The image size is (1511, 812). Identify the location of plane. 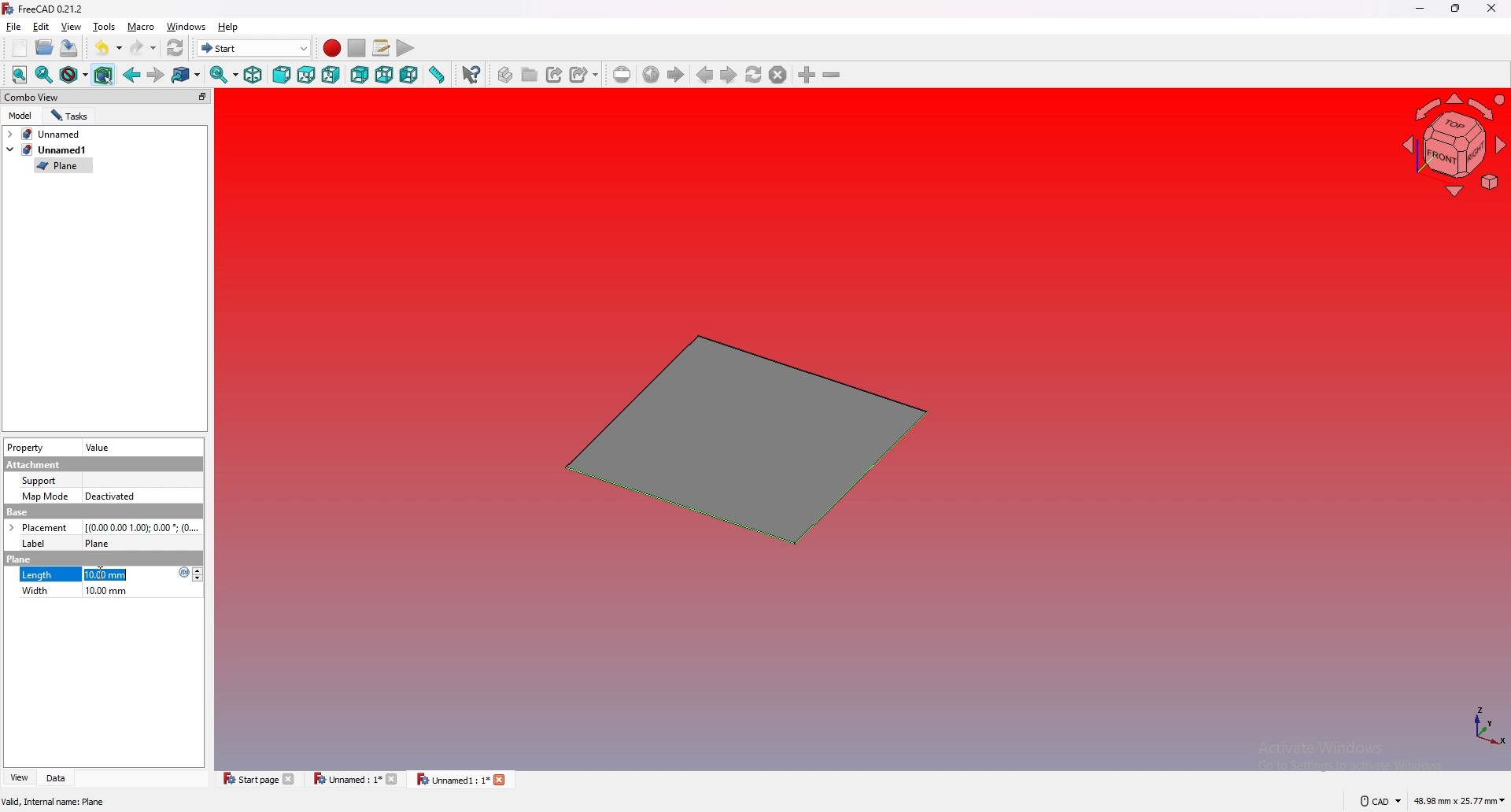
(104, 542).